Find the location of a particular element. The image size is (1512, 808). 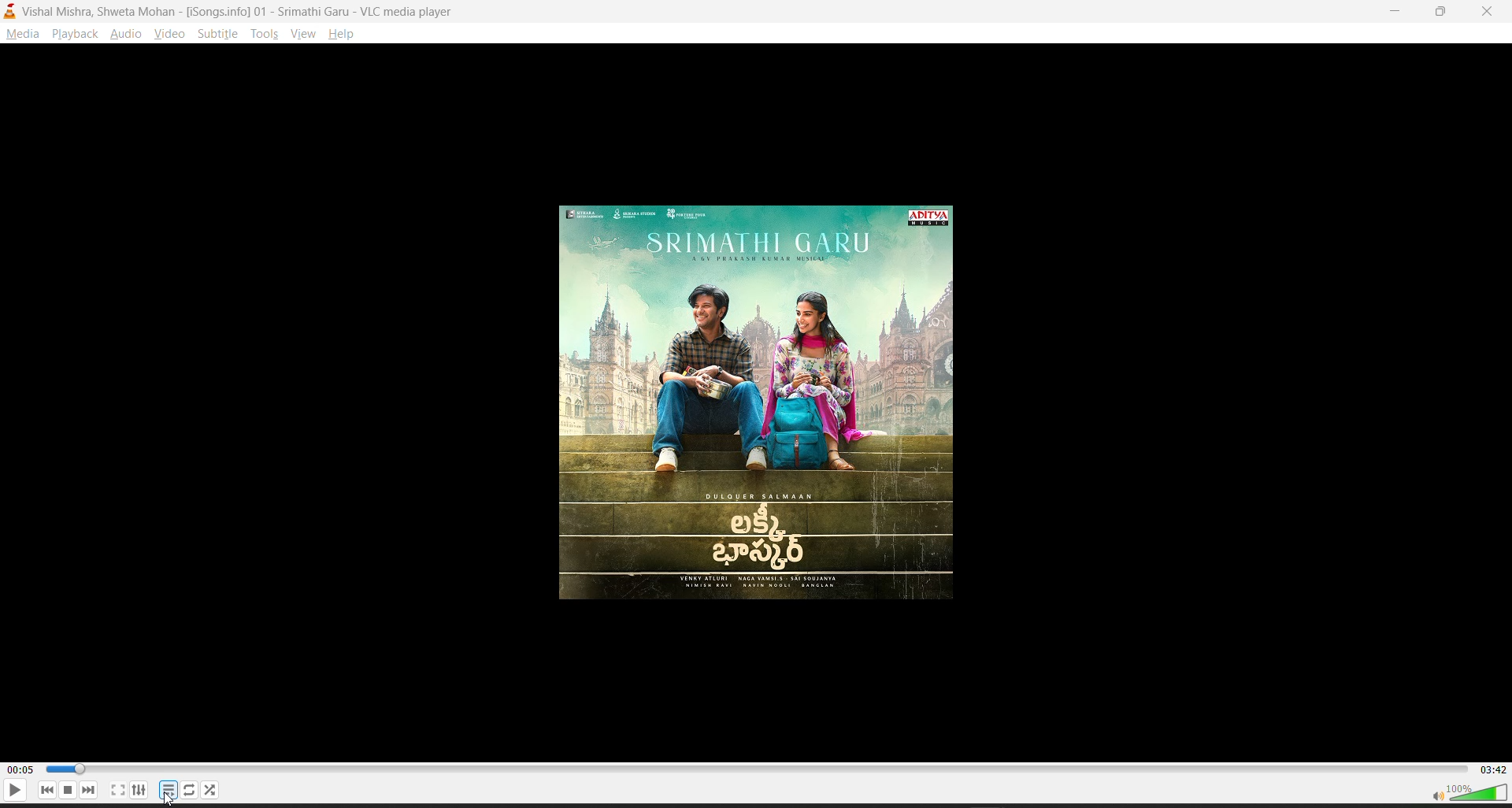

track slider is located at coordinates (761, 770).